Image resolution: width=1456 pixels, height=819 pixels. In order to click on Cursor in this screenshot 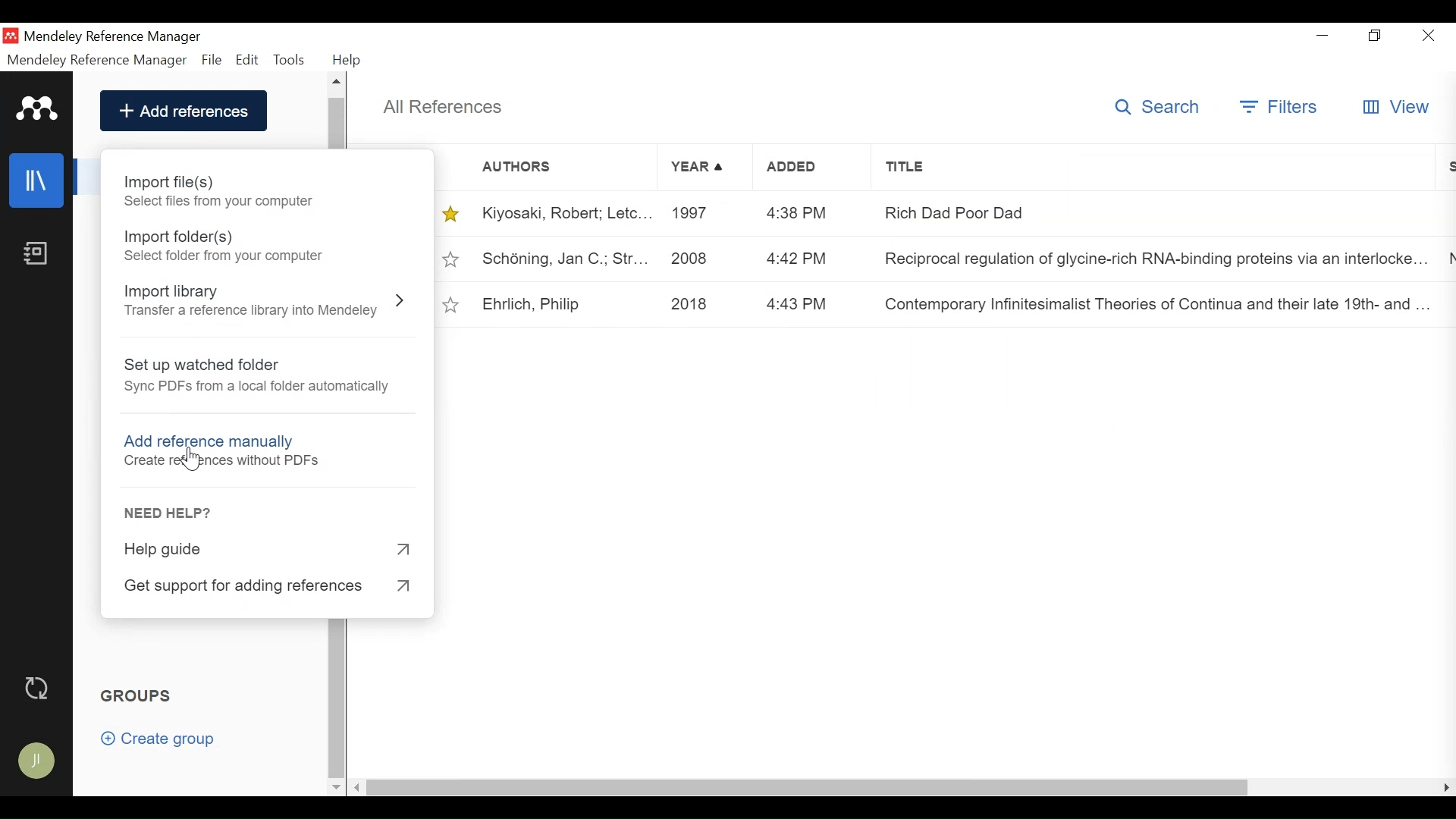, I will do `click(190, 462)`.